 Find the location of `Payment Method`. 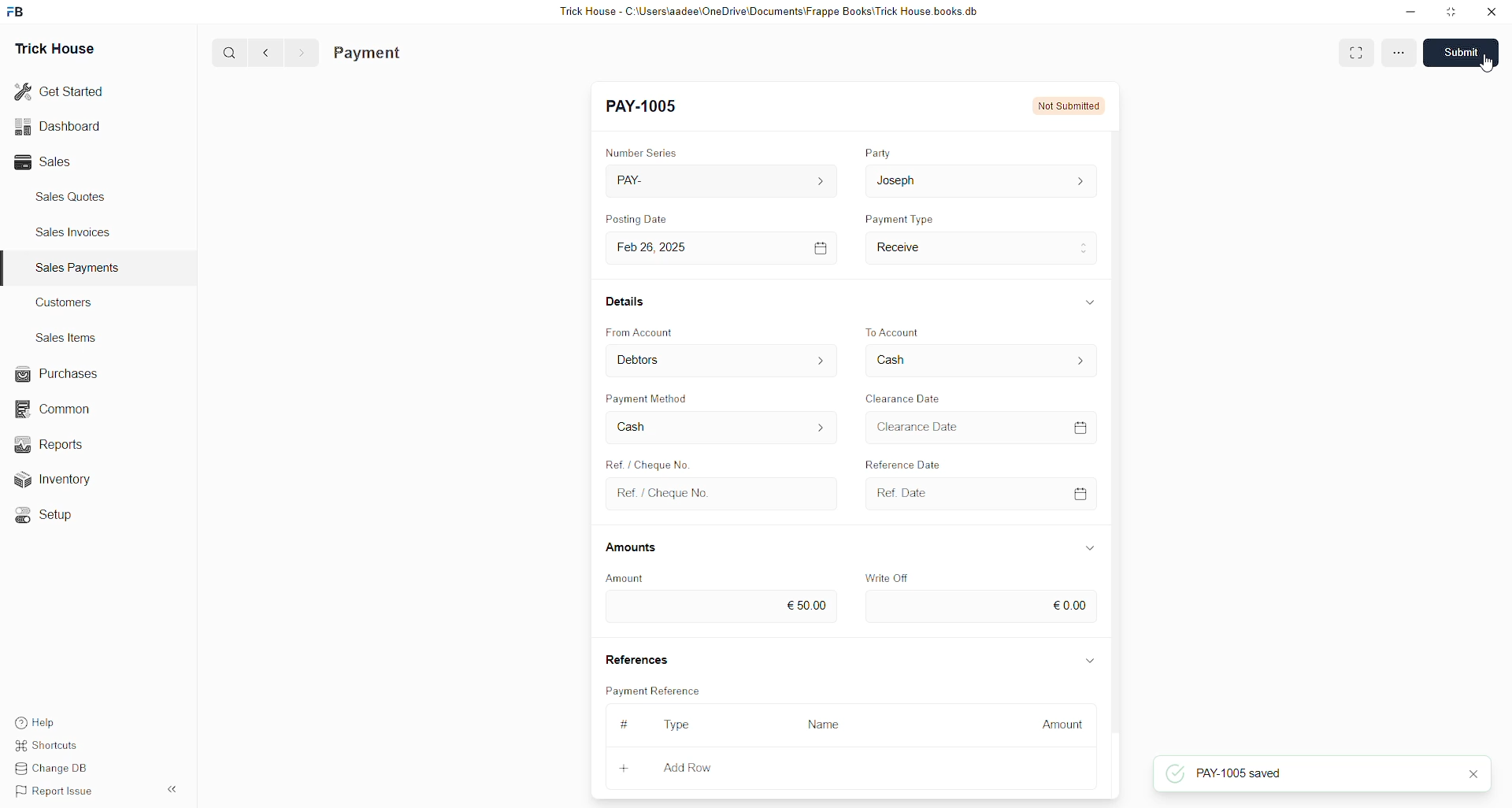

Payment Method is located at coordinates (649, 398).